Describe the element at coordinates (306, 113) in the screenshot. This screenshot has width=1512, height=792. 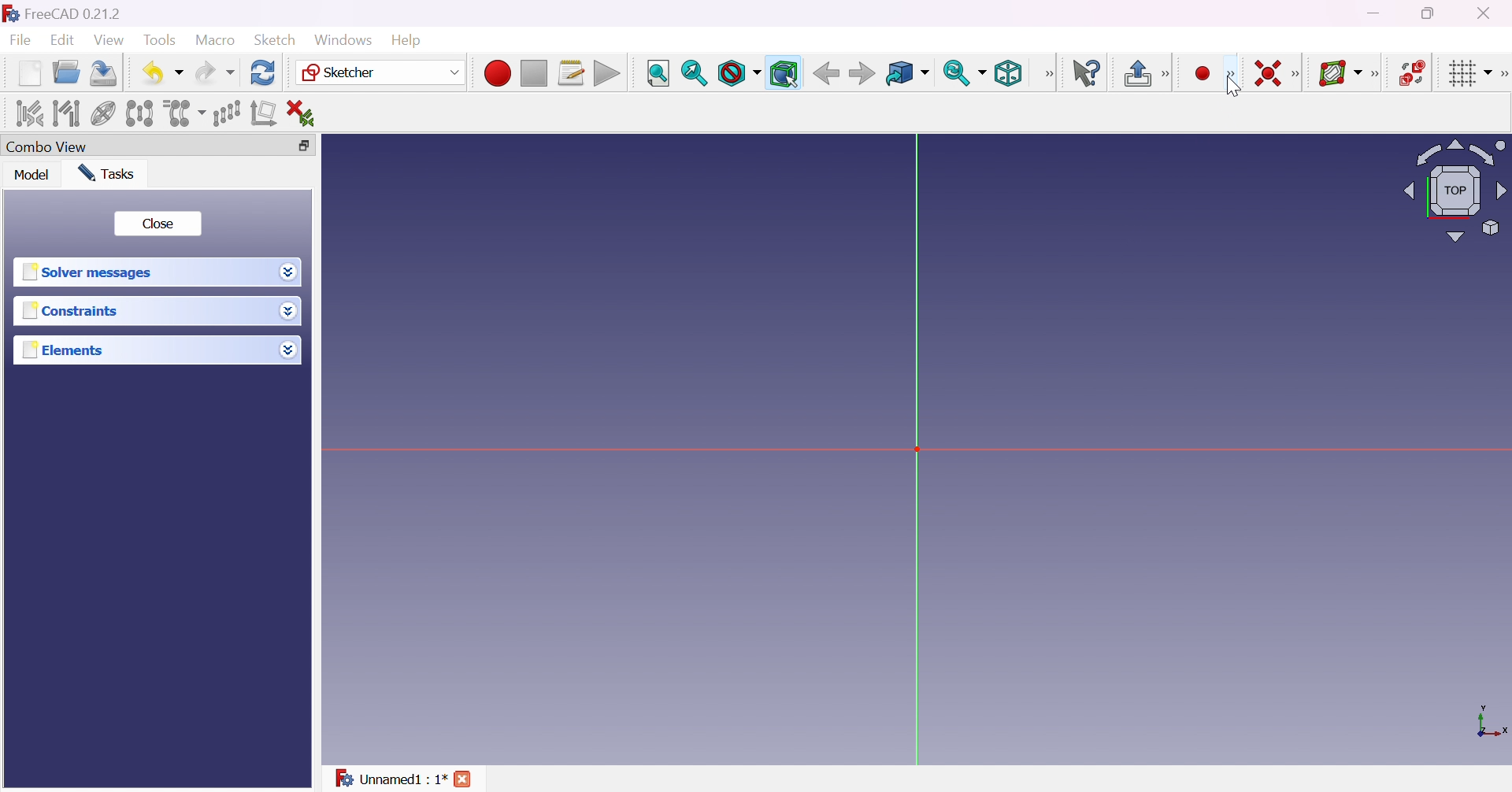
I see `Delete all constraints` at that location.